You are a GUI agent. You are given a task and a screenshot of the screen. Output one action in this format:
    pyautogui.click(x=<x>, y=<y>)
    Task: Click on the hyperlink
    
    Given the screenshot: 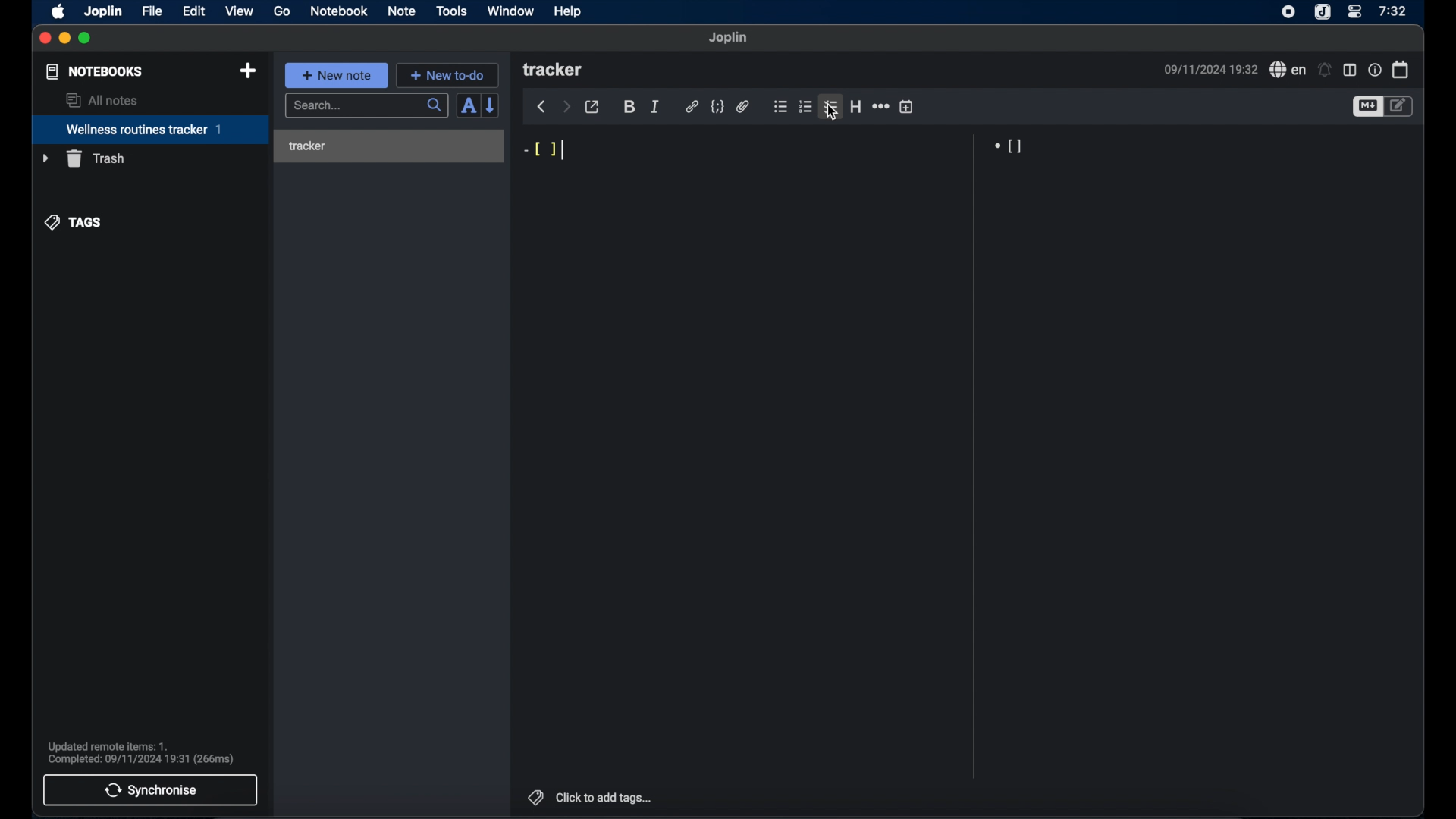 What is the action you would take?
    pyautogui.click(x=692, y=107)
    